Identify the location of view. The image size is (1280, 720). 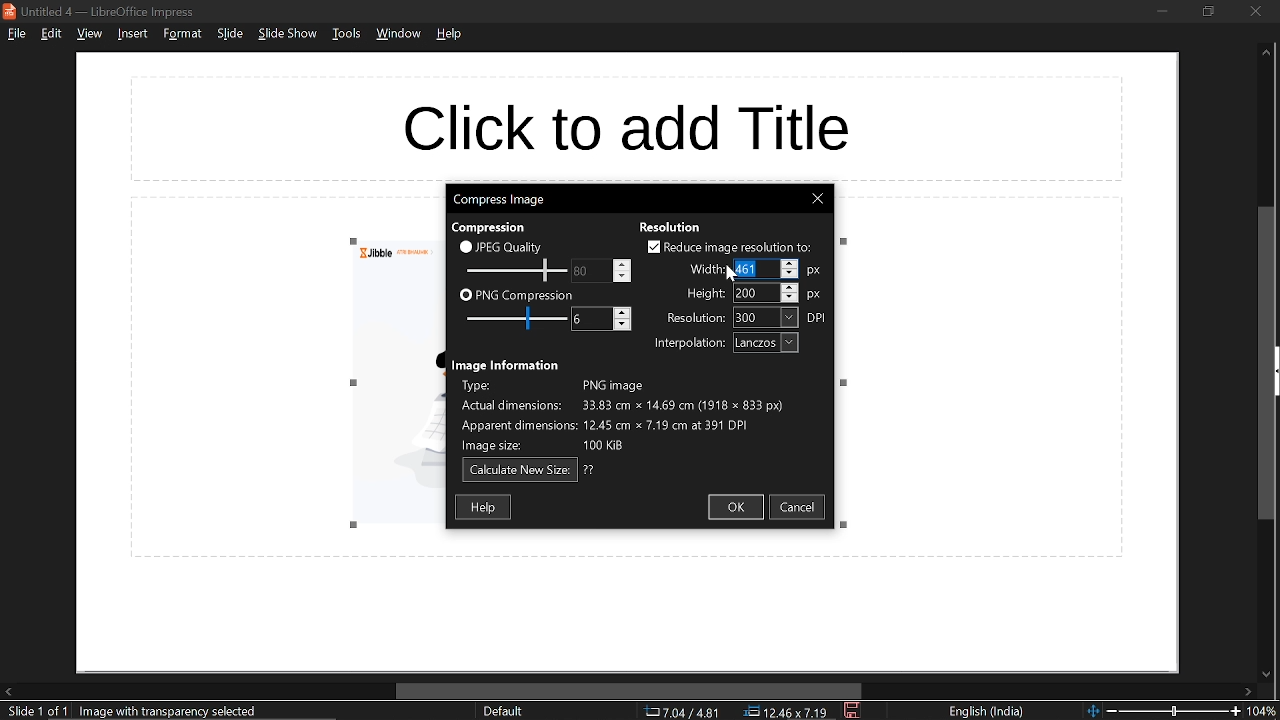
(88, 35).